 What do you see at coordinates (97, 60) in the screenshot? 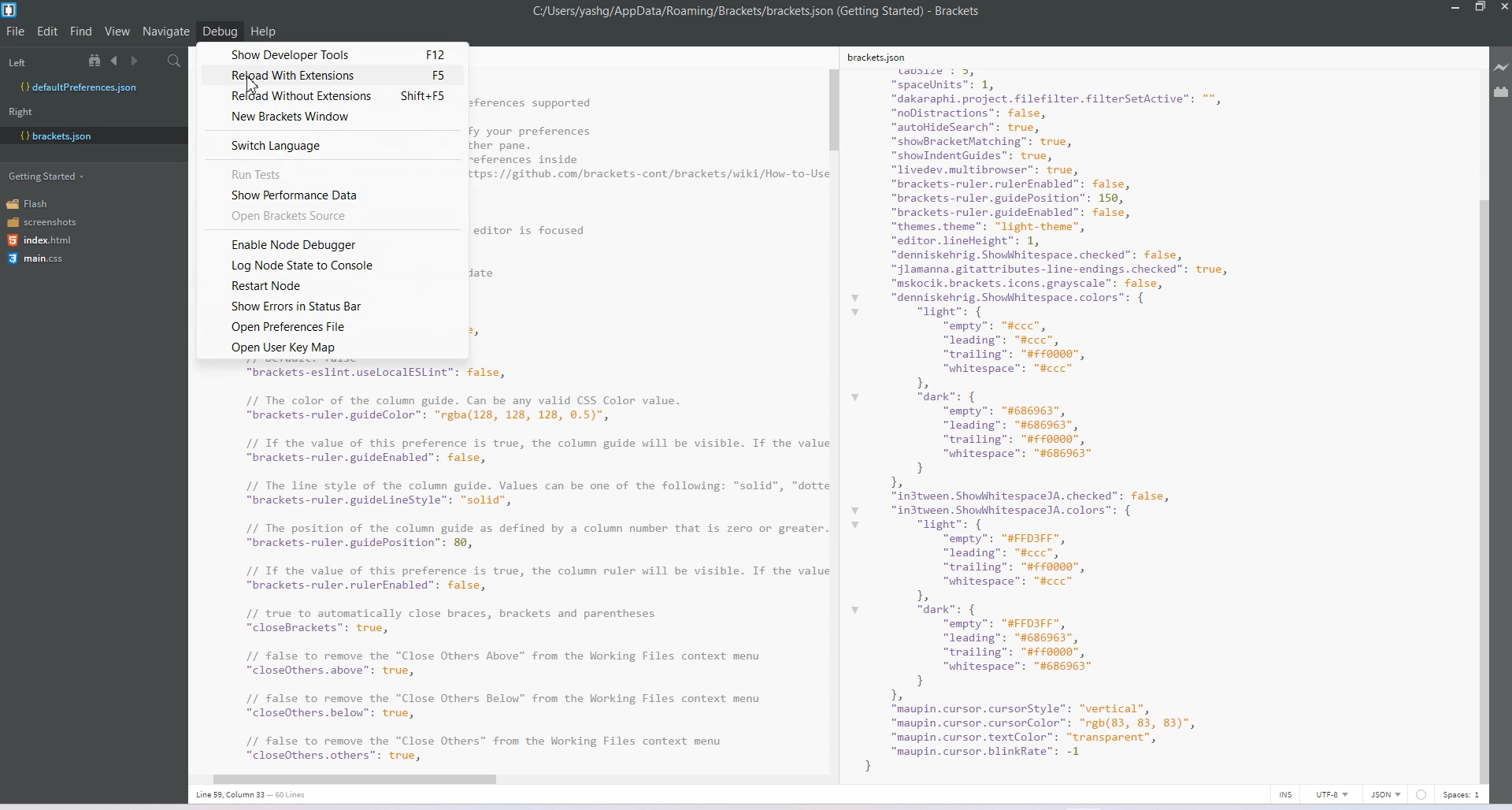
I see `View in file Tree` at bounding box center [97, 60].